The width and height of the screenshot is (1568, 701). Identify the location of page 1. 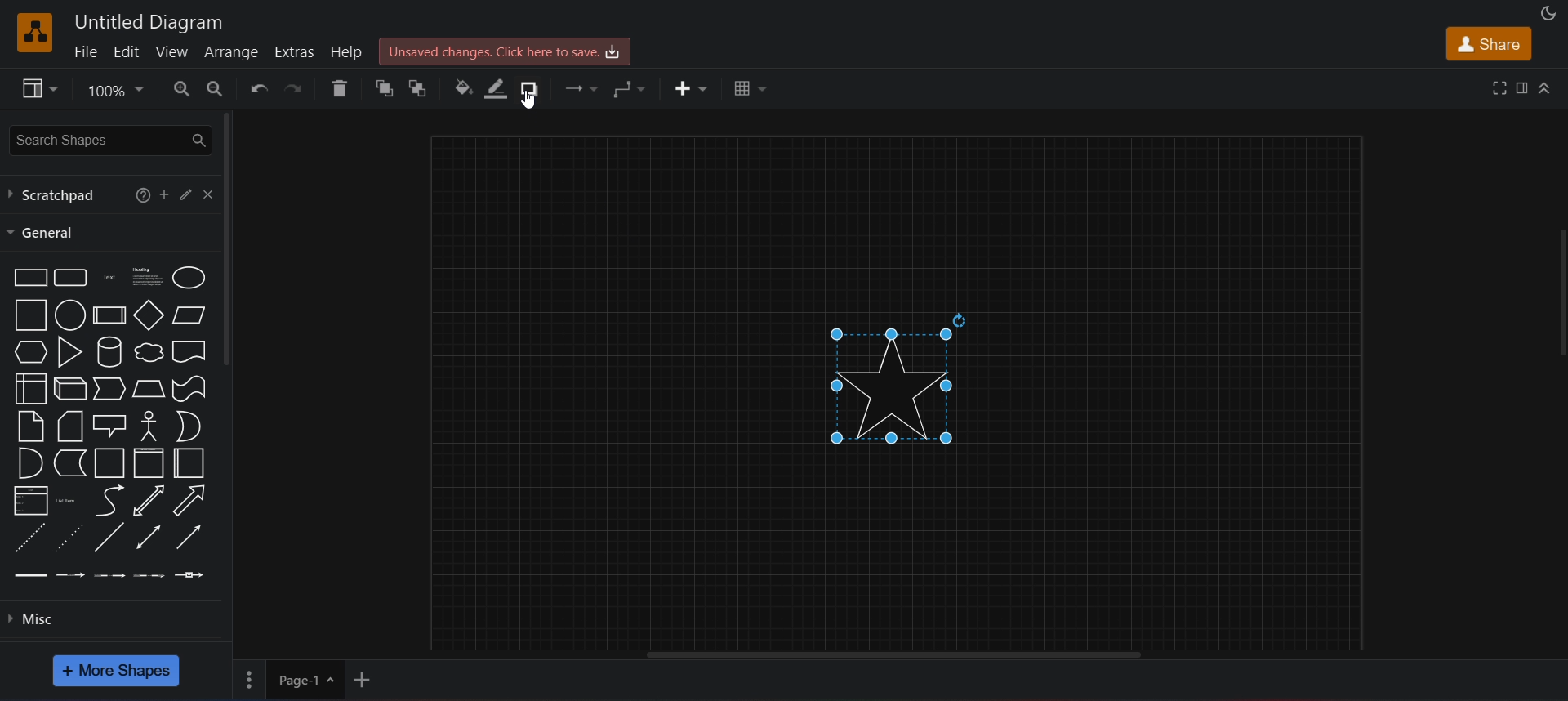
(291, 681).